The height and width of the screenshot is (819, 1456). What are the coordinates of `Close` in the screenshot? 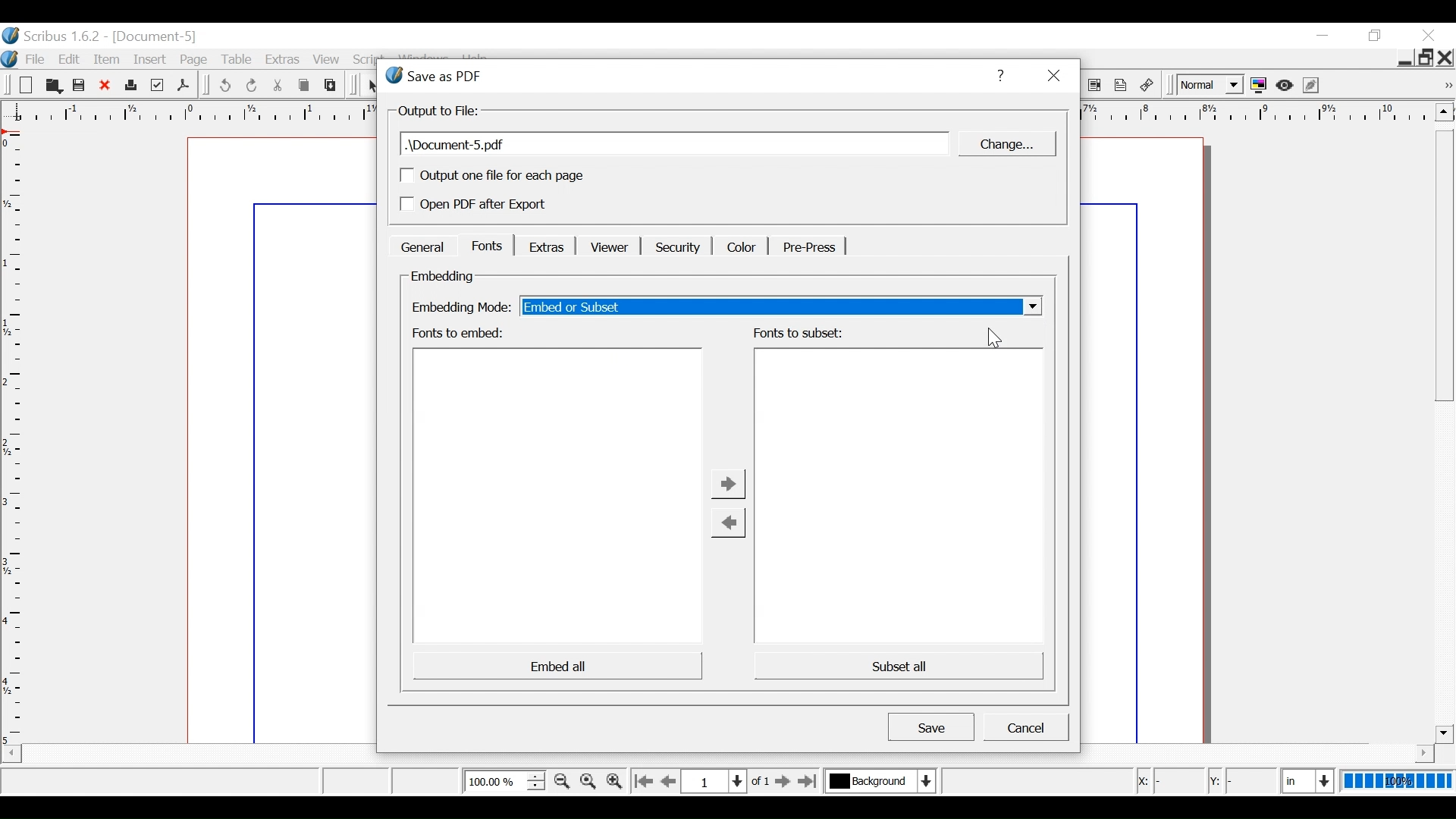 It's located at (1446, 58).